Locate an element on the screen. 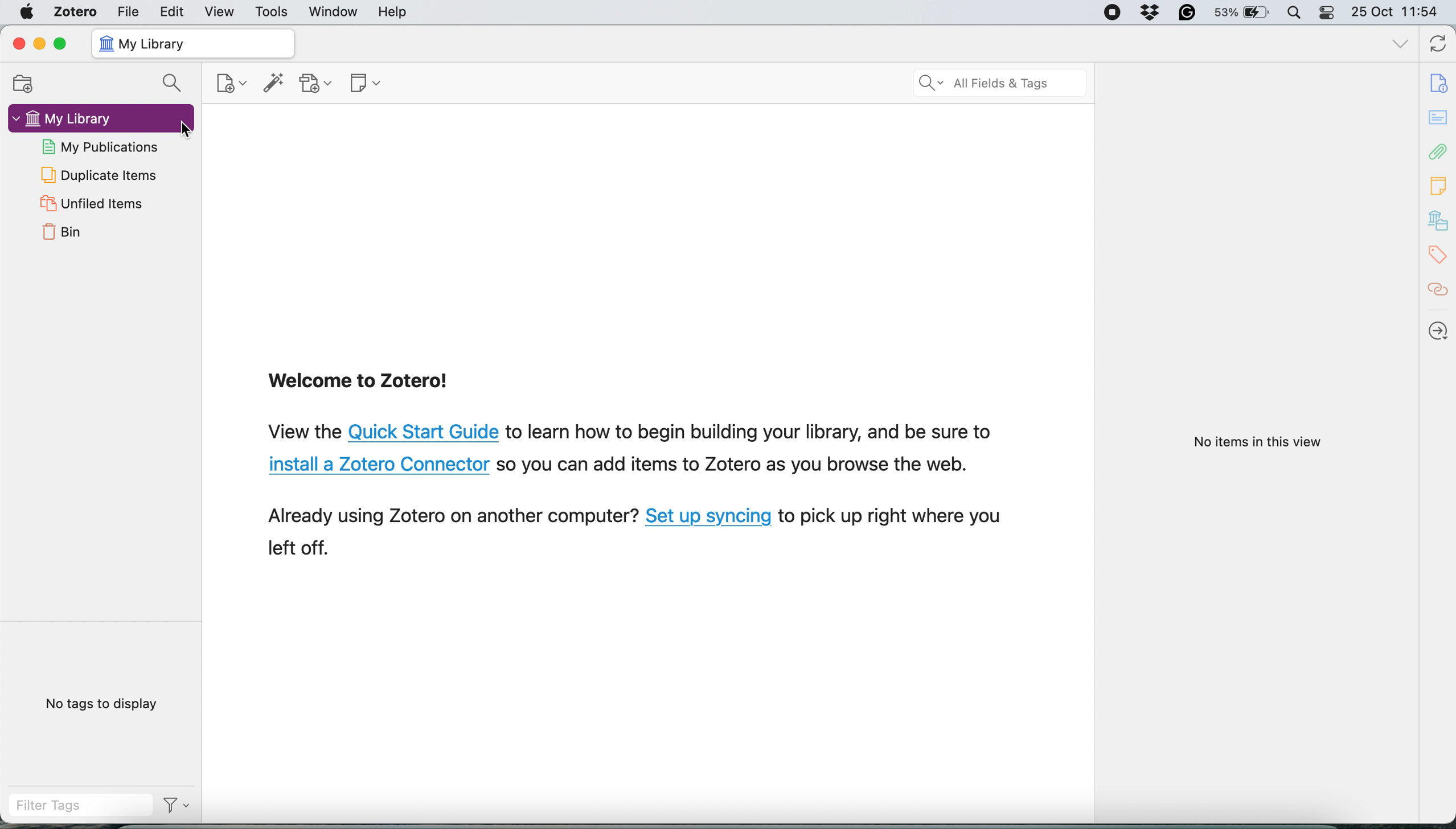 The width and height of the screenshot is (1456, 829). bin is located at coordinates (61, 235).